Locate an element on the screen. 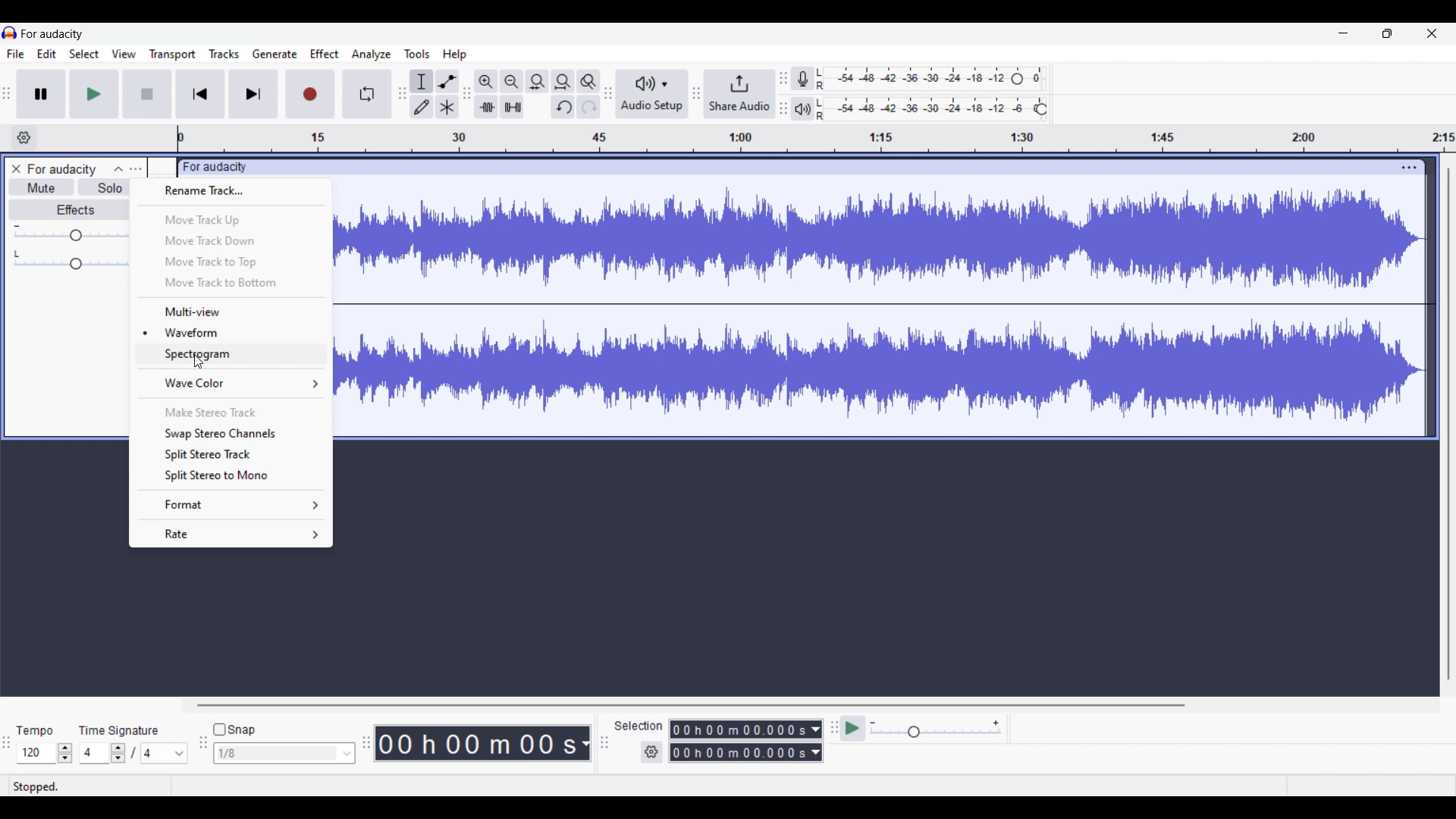 The image size is (1456, 819). Envelop tool is located at coordinates (447, 82).